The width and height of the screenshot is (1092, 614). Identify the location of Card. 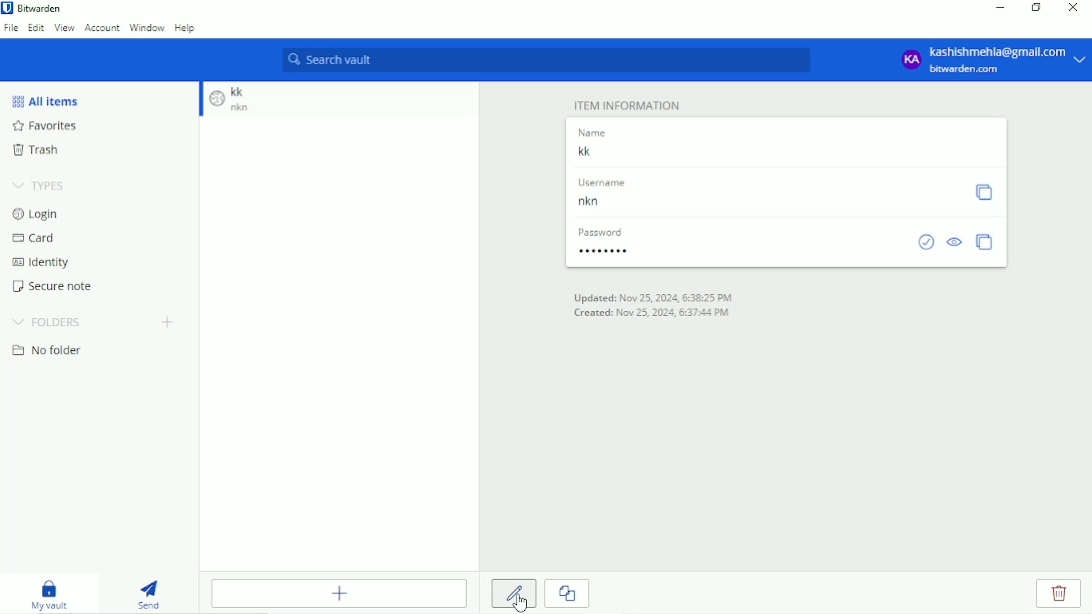
(34, 239).